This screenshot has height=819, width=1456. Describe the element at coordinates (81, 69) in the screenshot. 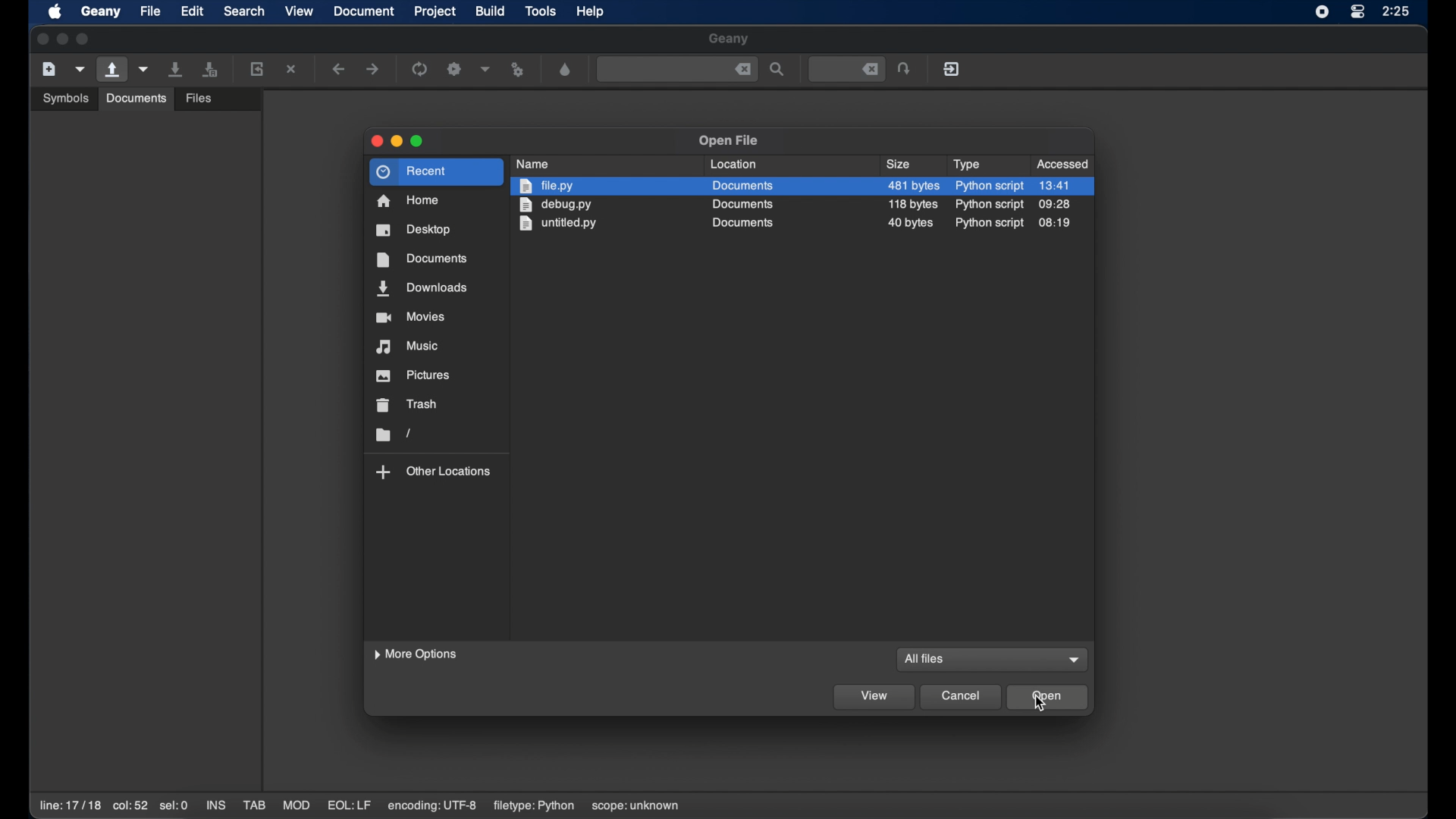

I see `create file from template` at that location.